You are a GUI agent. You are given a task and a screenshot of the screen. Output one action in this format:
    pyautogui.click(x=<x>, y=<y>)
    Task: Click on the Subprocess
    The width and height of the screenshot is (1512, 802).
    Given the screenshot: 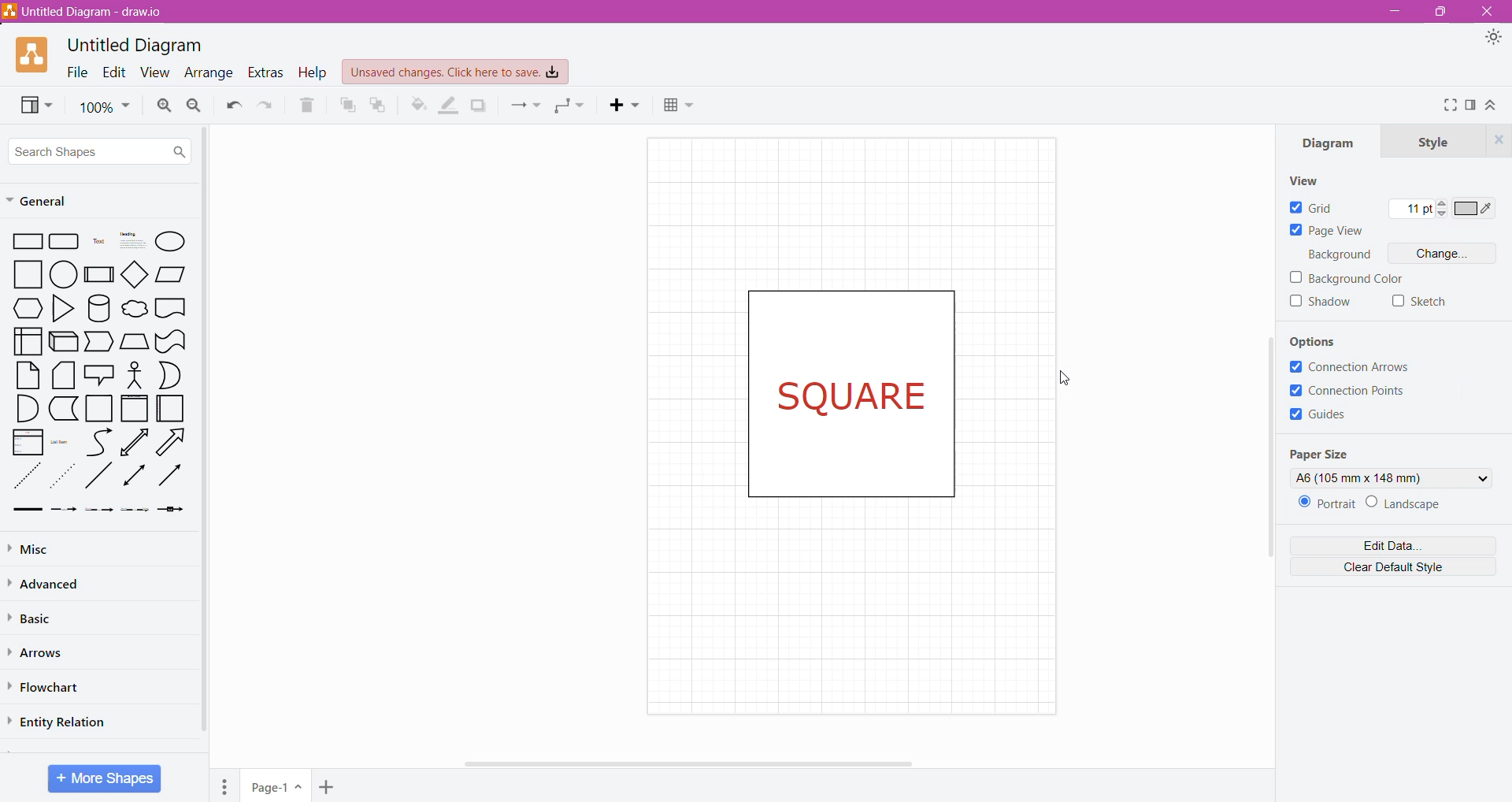 What is the action you would take?
    pyautogui.click(x=99, y=273)
    